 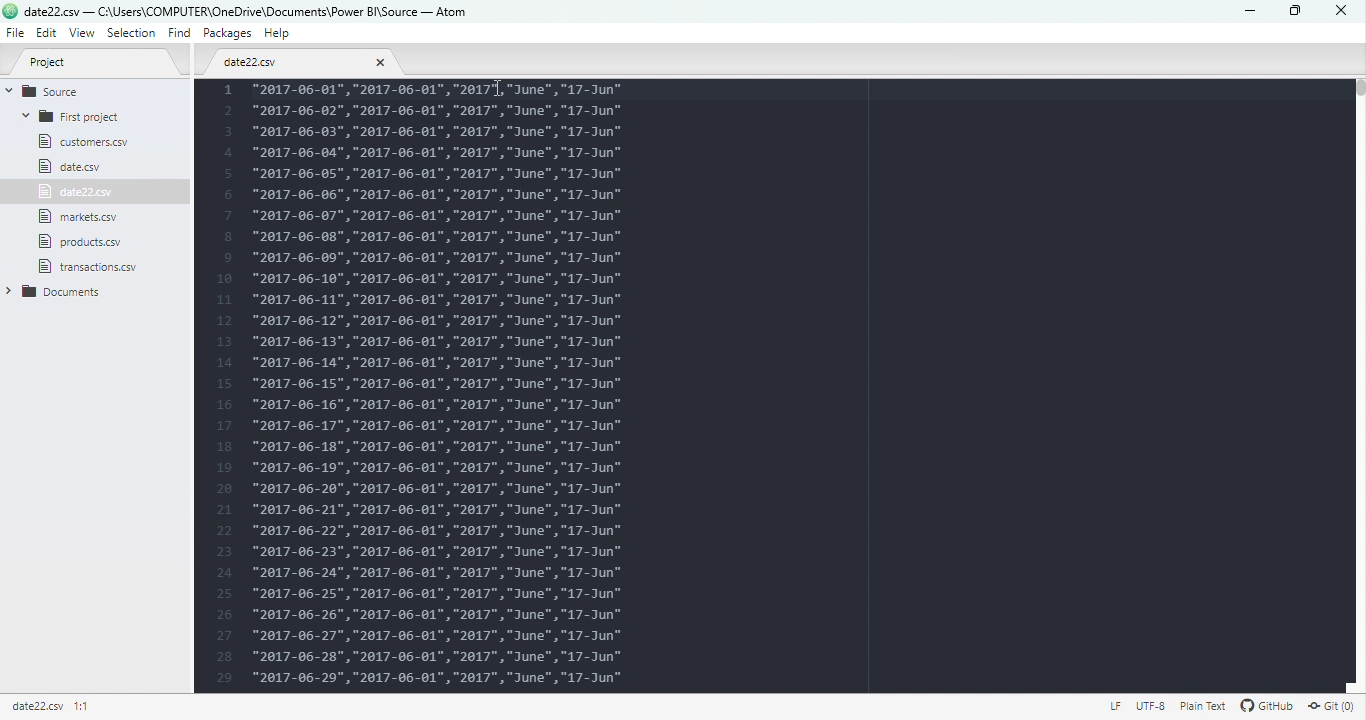 What do you see at coordinates (1263, 705) in the screenshot?
I see `Github` at bounding box center [1263, 705].